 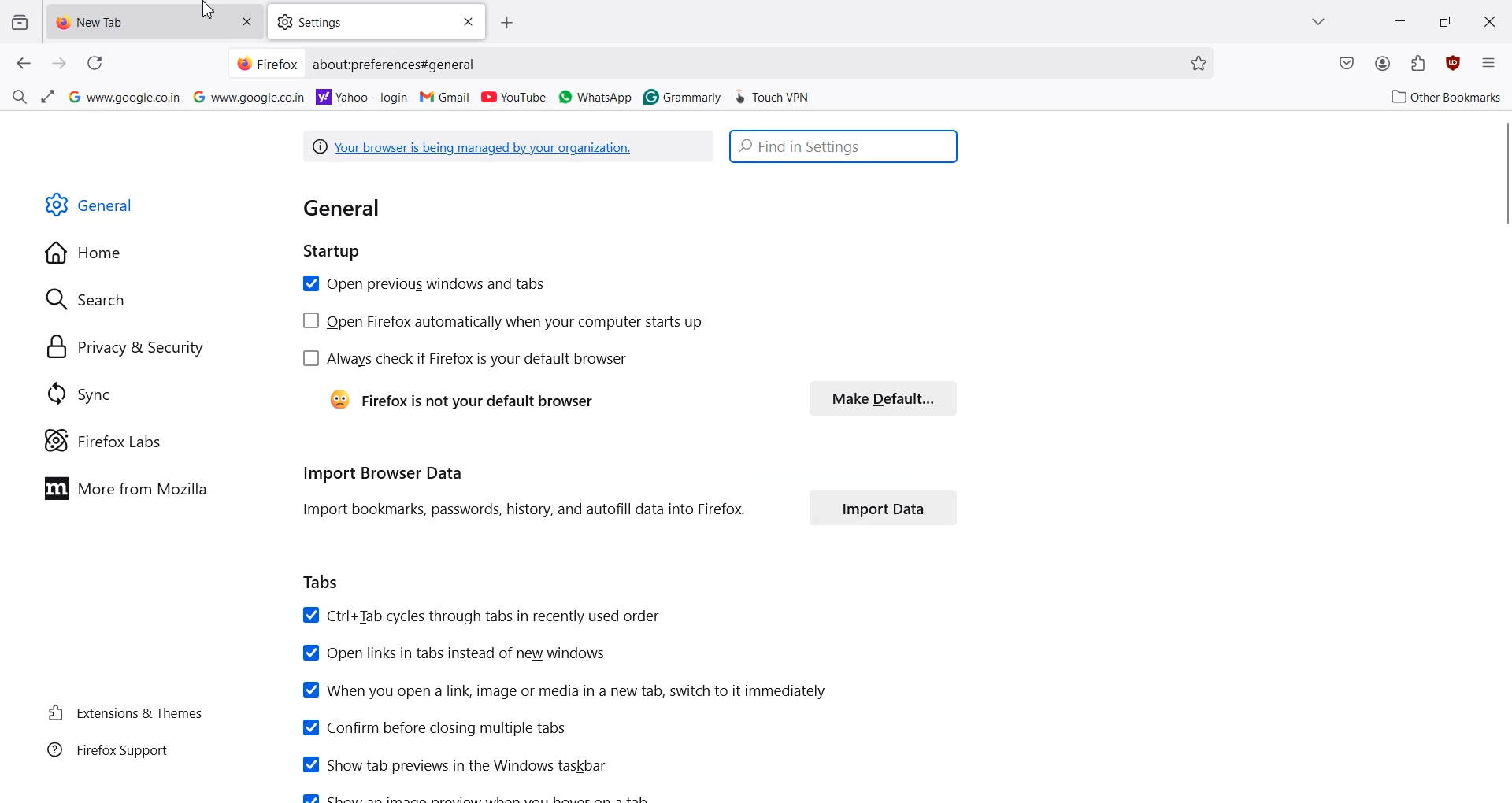 I want to click on Import Data, so click(x=883, y=508).